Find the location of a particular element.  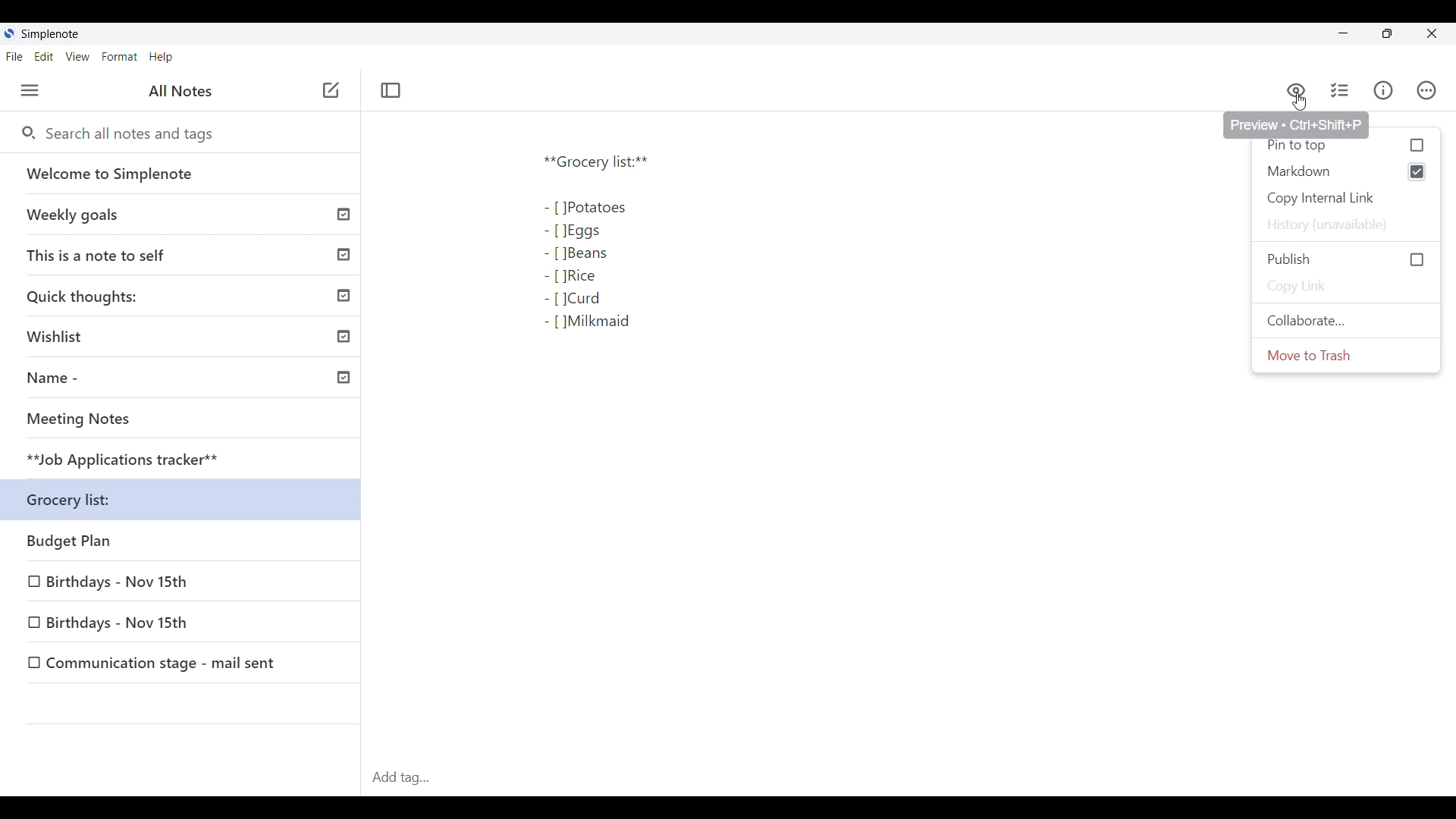

Resize is located at coordinates (1385, 36).